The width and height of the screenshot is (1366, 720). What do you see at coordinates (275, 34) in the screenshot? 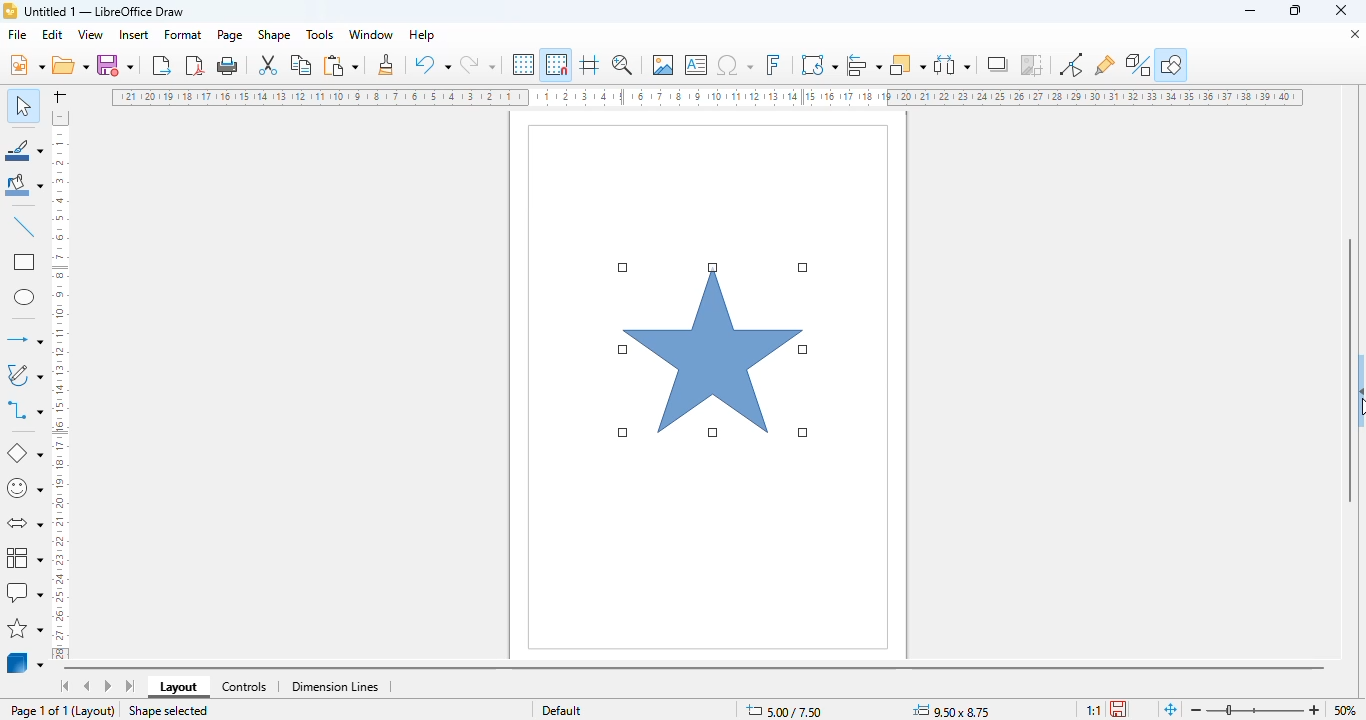
I see `shape` at bounding box center [275, 34].